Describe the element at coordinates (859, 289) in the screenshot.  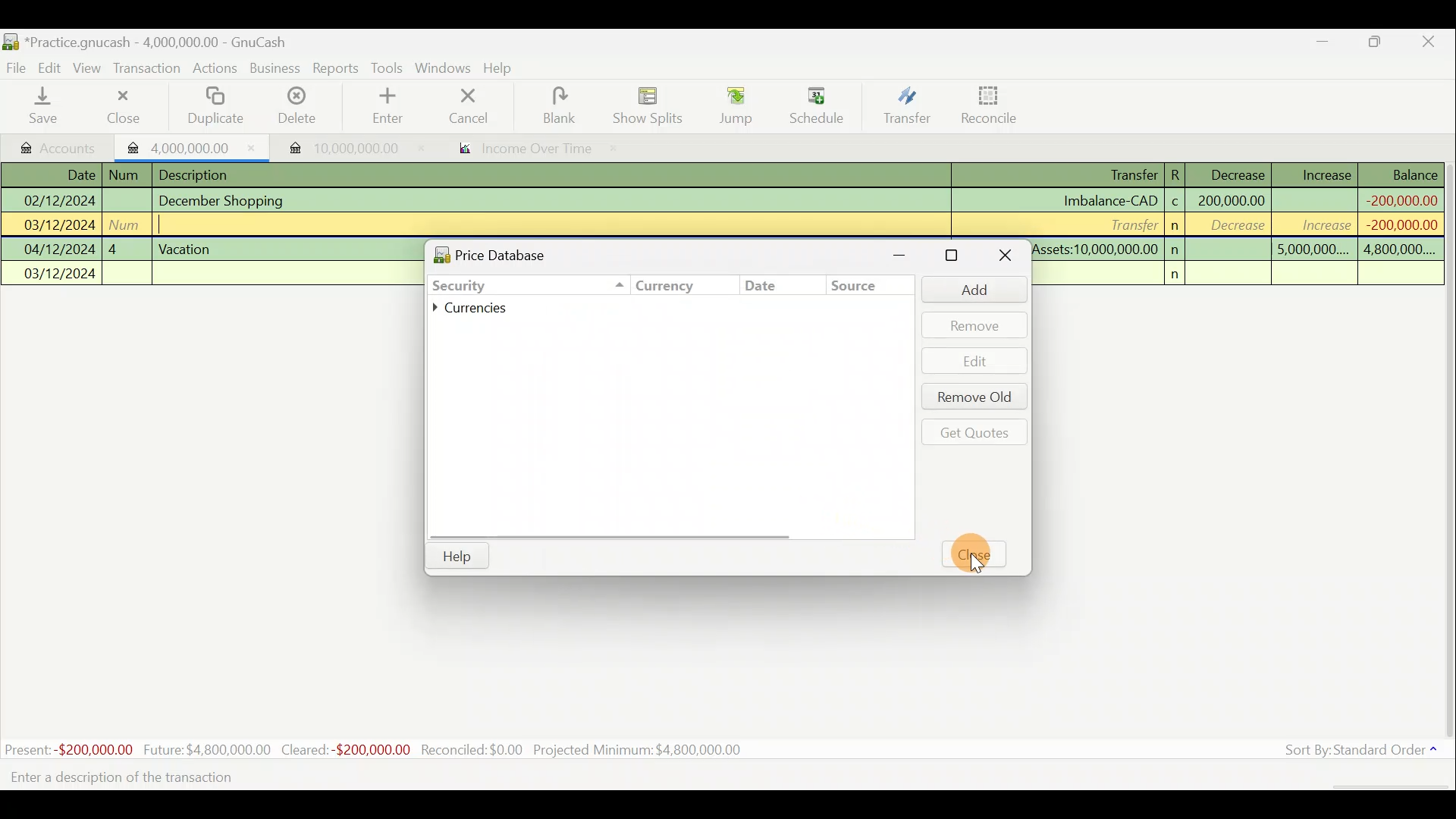
I see `source` at that location.